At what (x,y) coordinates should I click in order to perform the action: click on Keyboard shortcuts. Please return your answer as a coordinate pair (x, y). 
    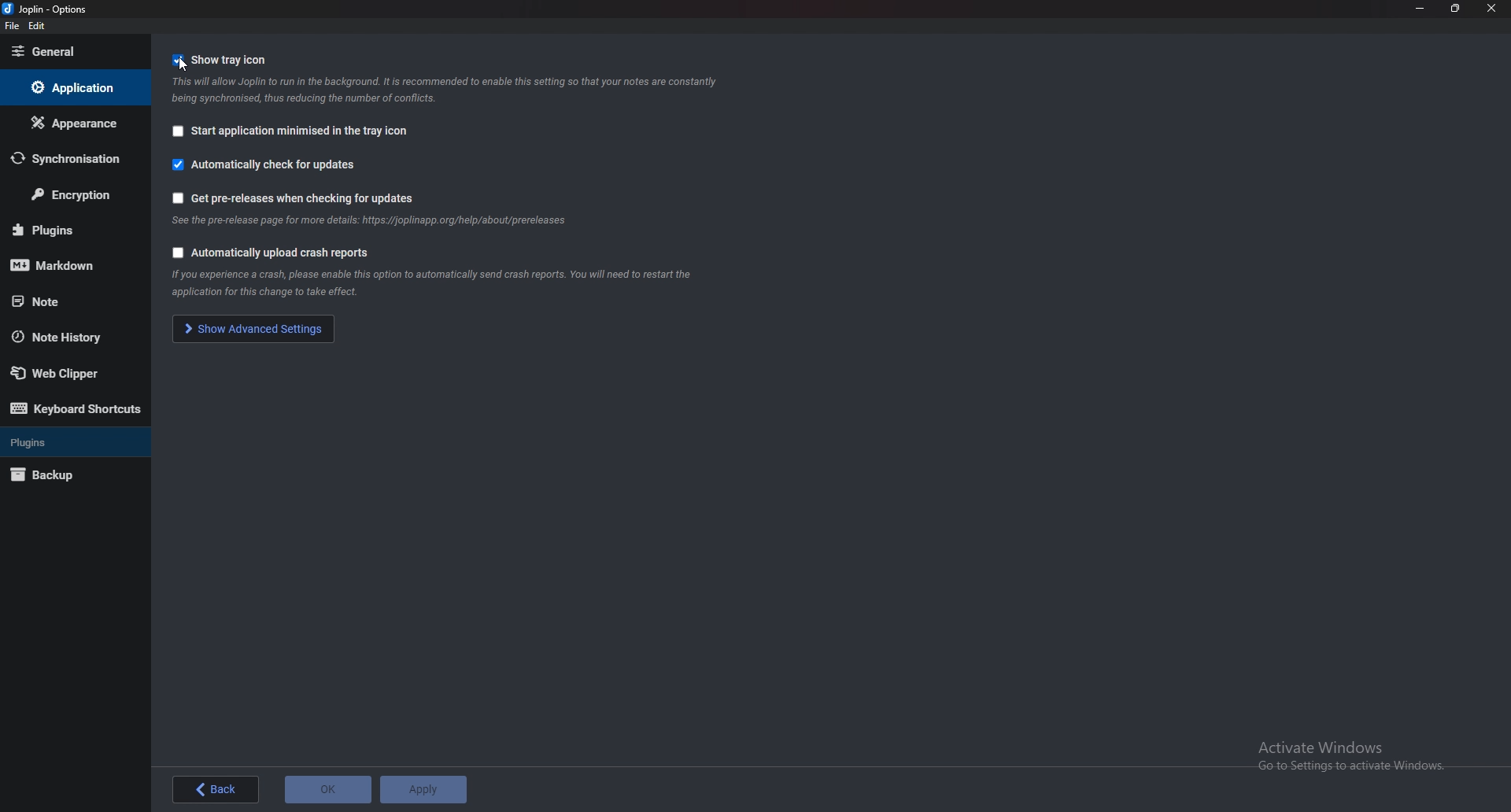
    Looking at the image, I should click on (75, 411).